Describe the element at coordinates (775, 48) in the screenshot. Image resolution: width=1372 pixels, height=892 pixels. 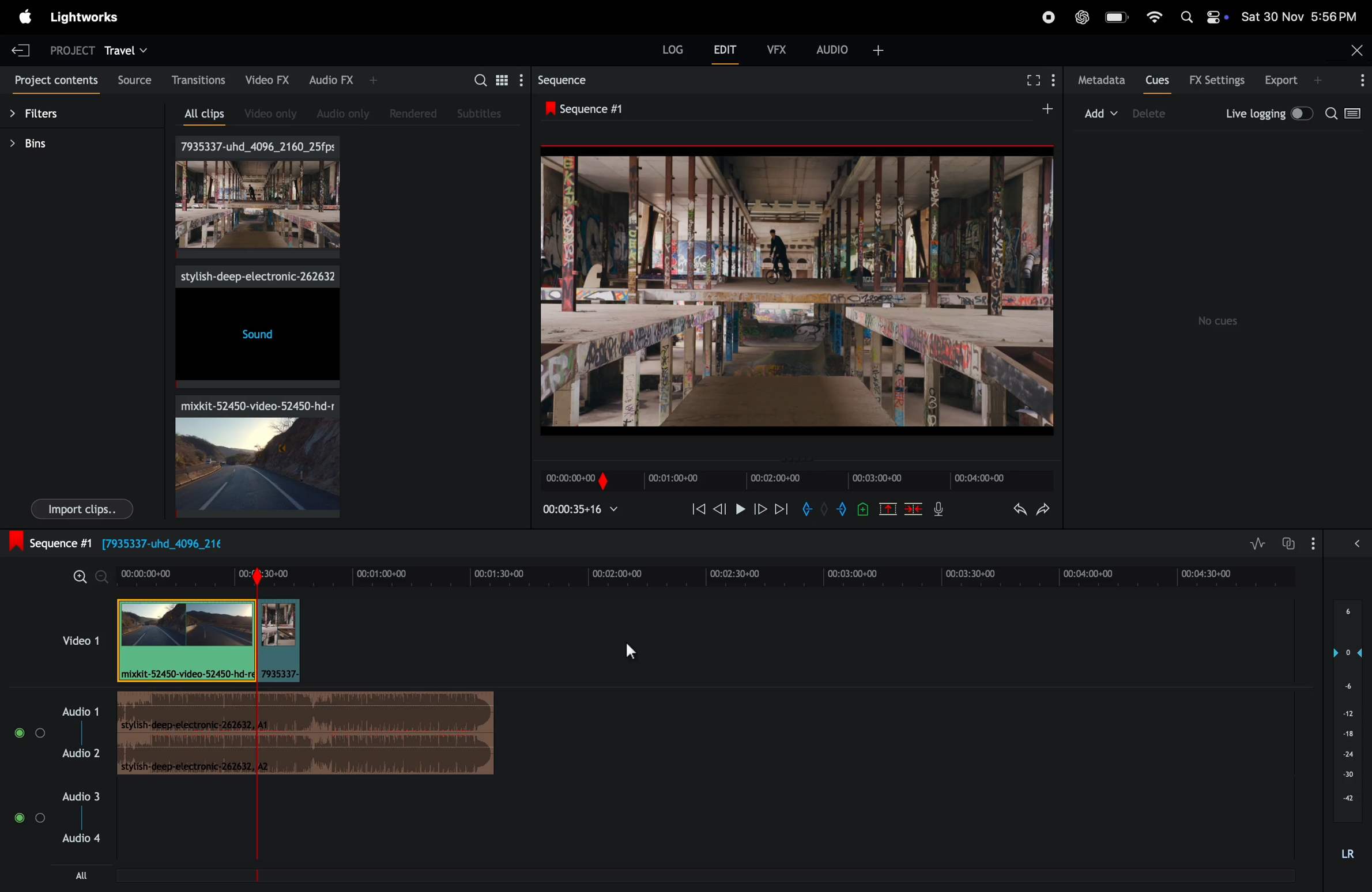
I see `vfx` at that location.